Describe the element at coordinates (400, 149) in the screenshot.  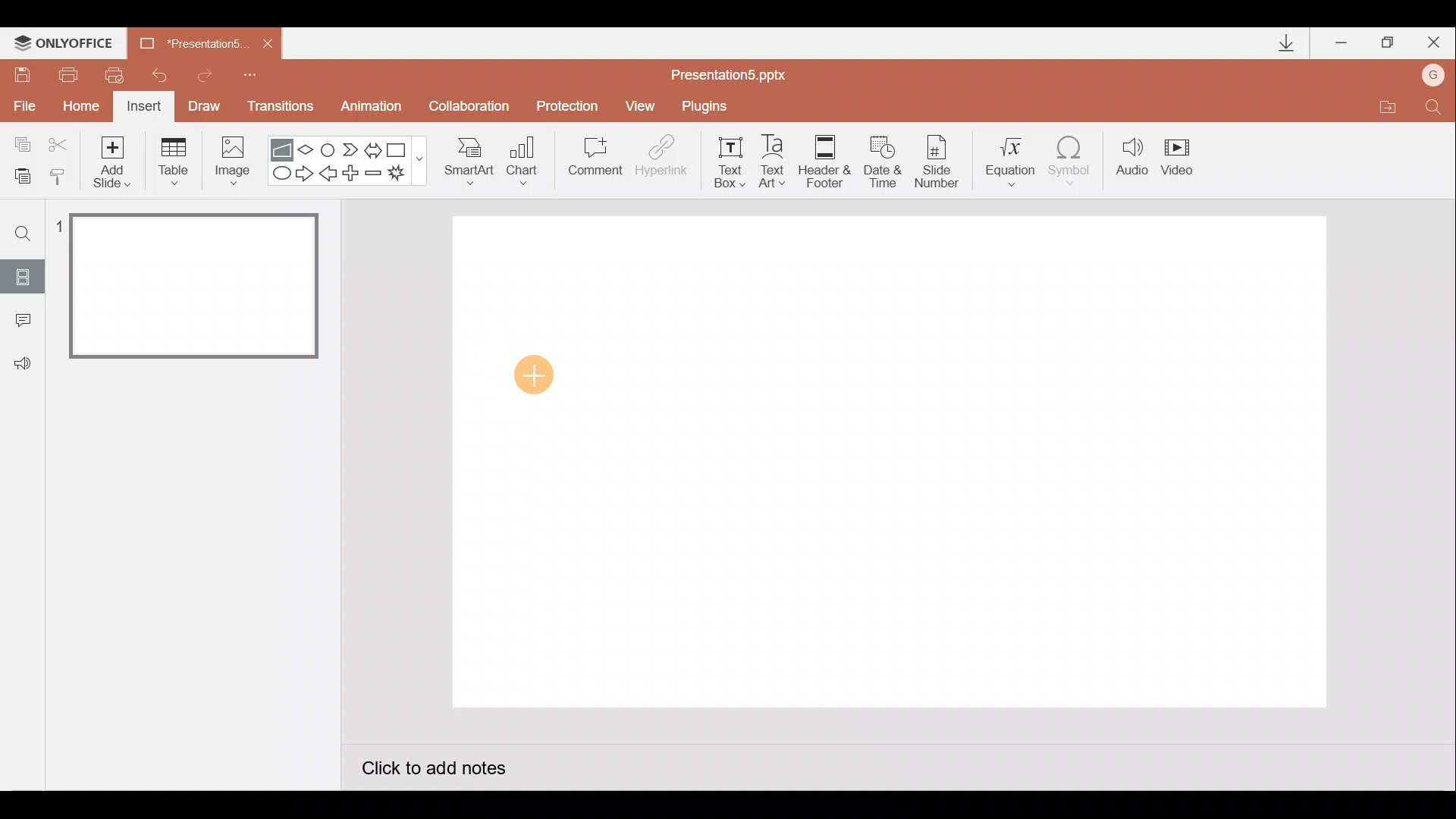
I see `Rectangle` at that location.